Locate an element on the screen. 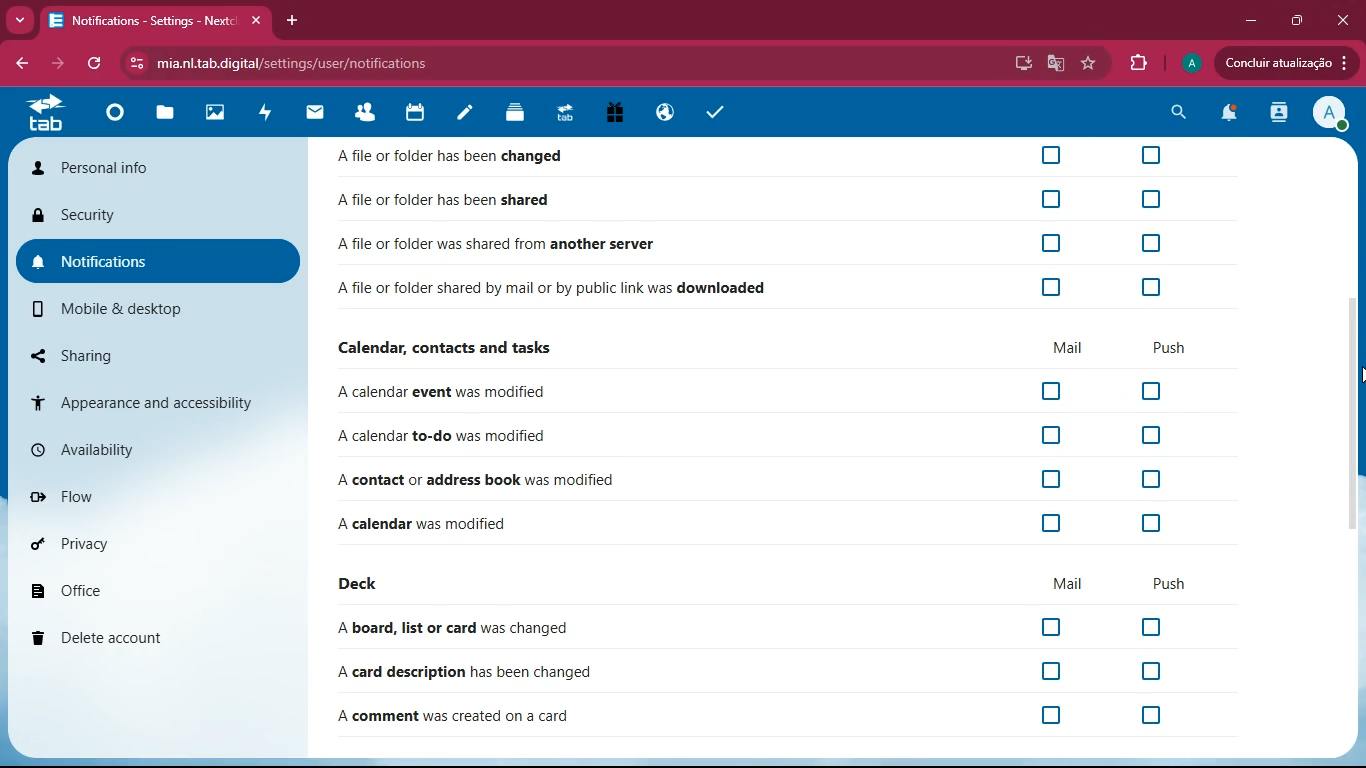  sharing is located at coordinates (150, 356).